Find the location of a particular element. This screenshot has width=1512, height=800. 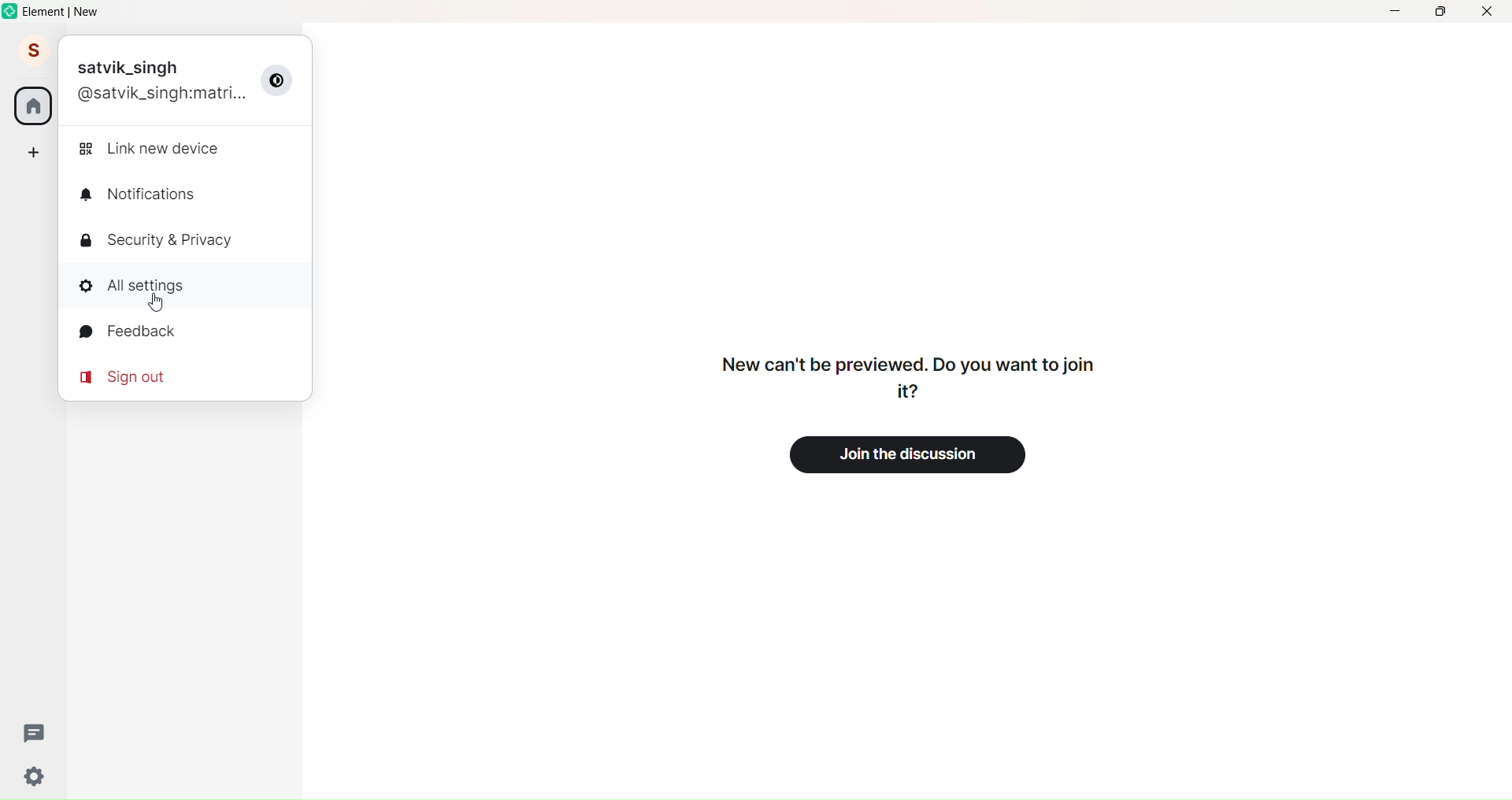

Feedback is located at coordinates (139, 334).